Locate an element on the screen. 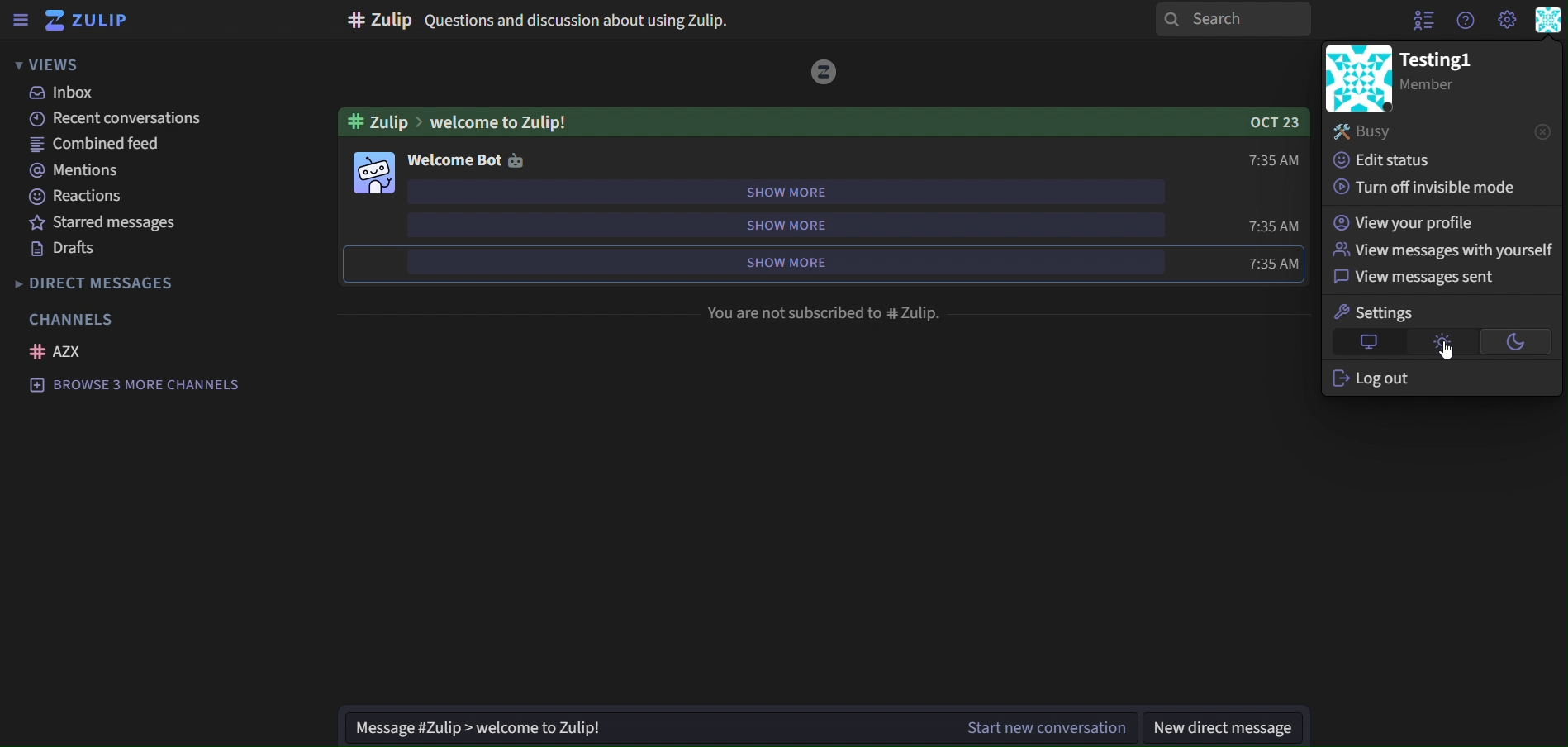 This screenshot has height=747, width=1568. welcome bot is located at coordinates (469, 159).